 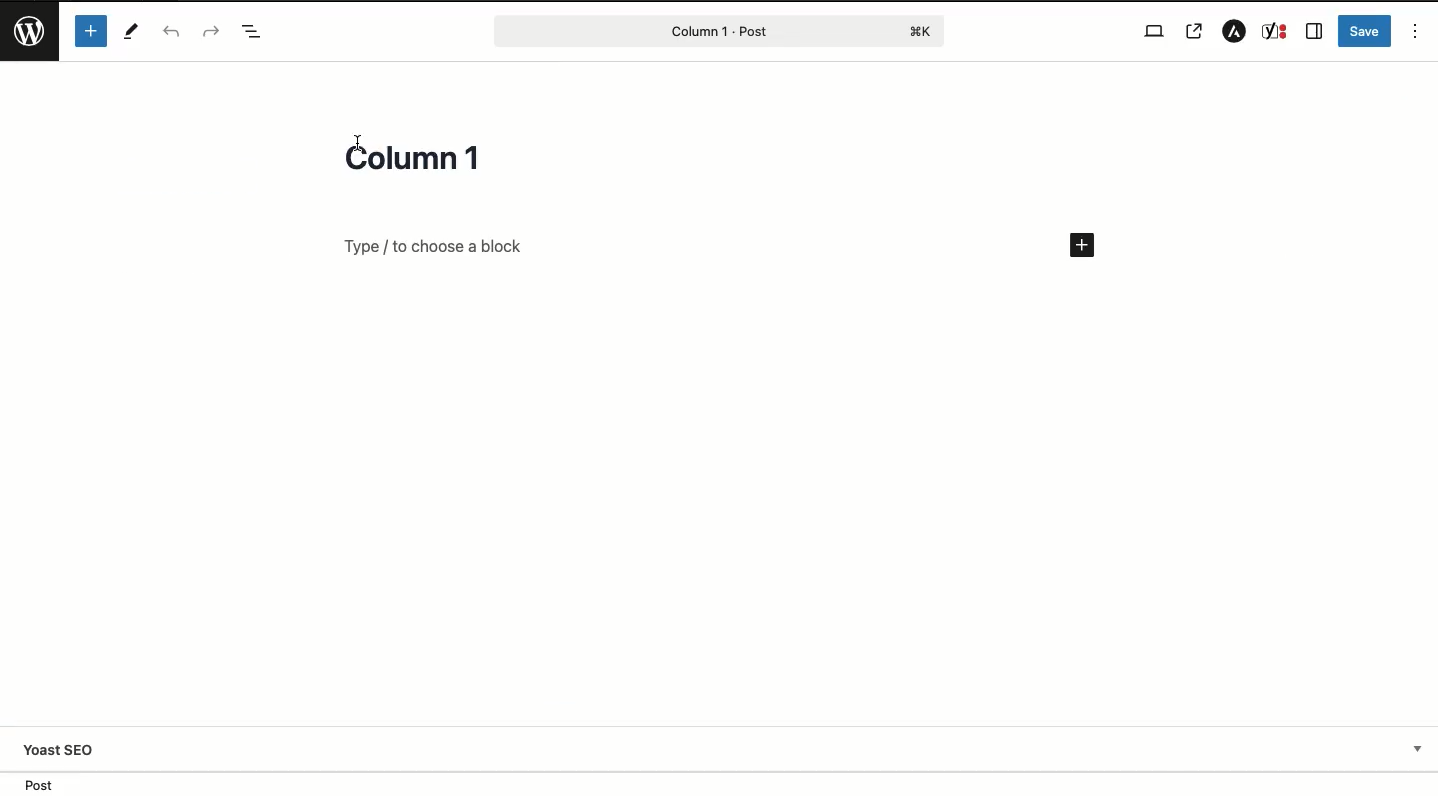 I want to click on Cursor, so click(x=353, y=136).